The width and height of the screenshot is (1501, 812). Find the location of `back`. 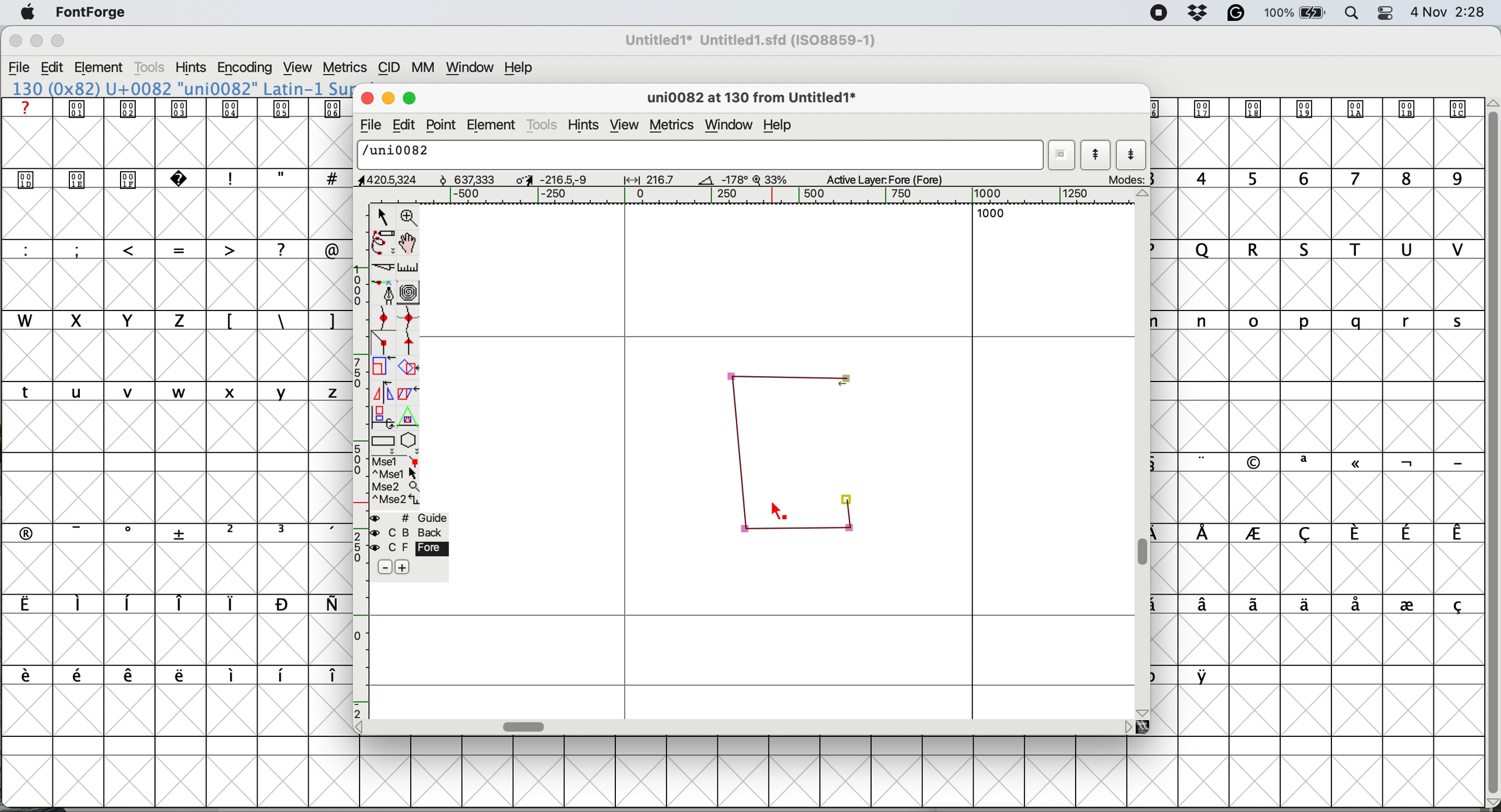

back is located at coordinates (410, 532).